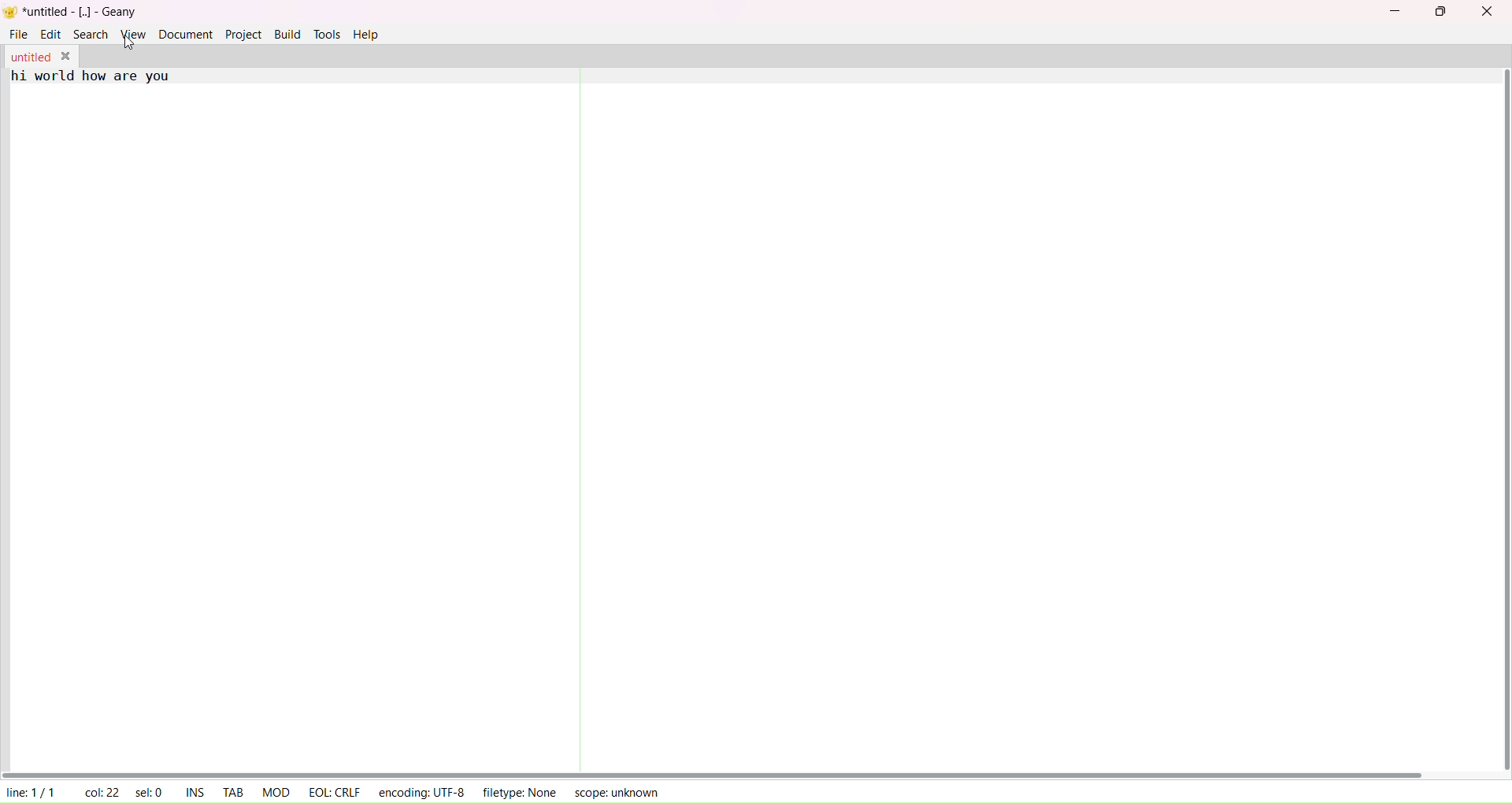  I want to click on close tab, so click(65, 54).